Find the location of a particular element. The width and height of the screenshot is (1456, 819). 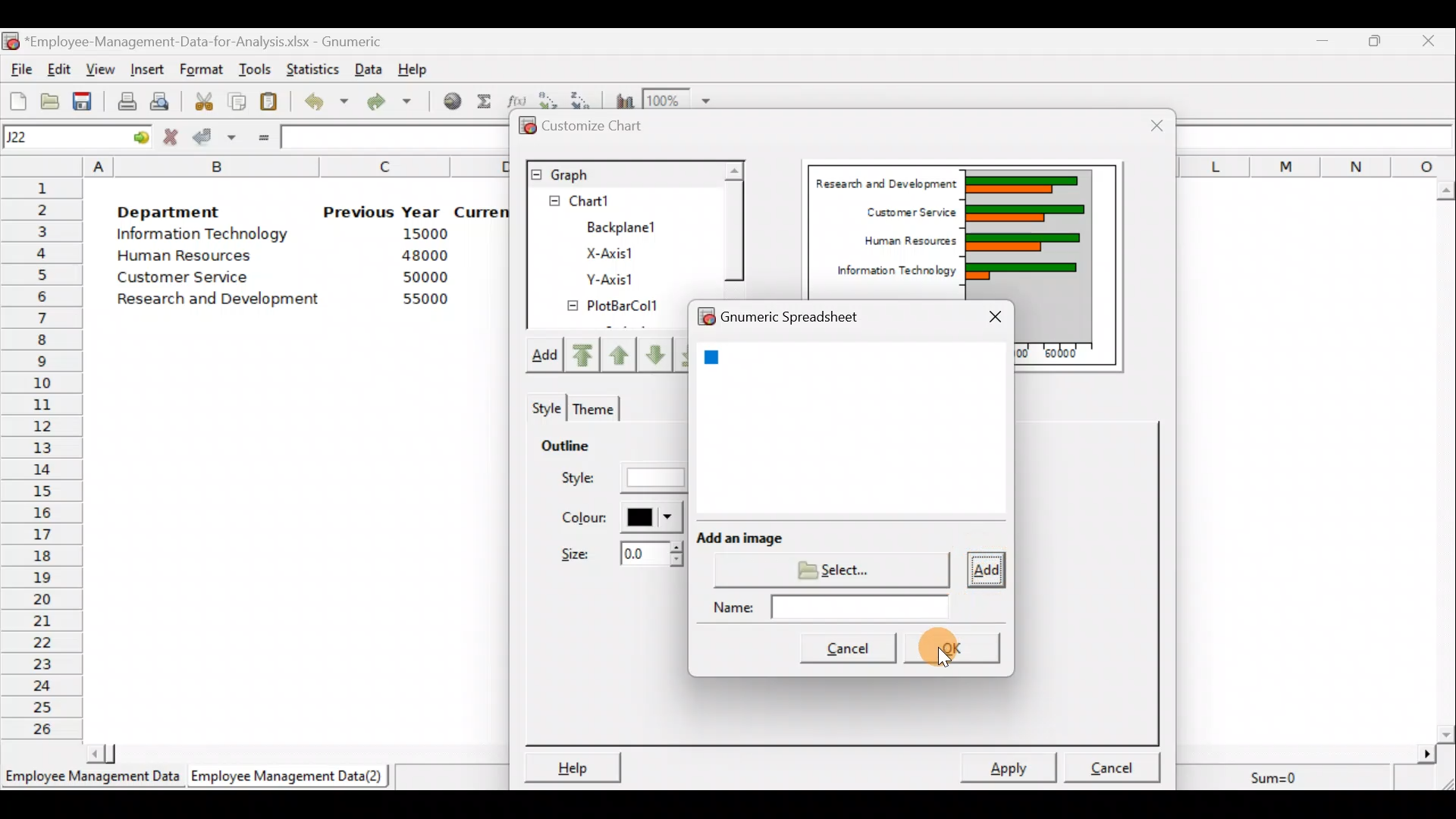

Research and Development is located at coordinates (883, 180).